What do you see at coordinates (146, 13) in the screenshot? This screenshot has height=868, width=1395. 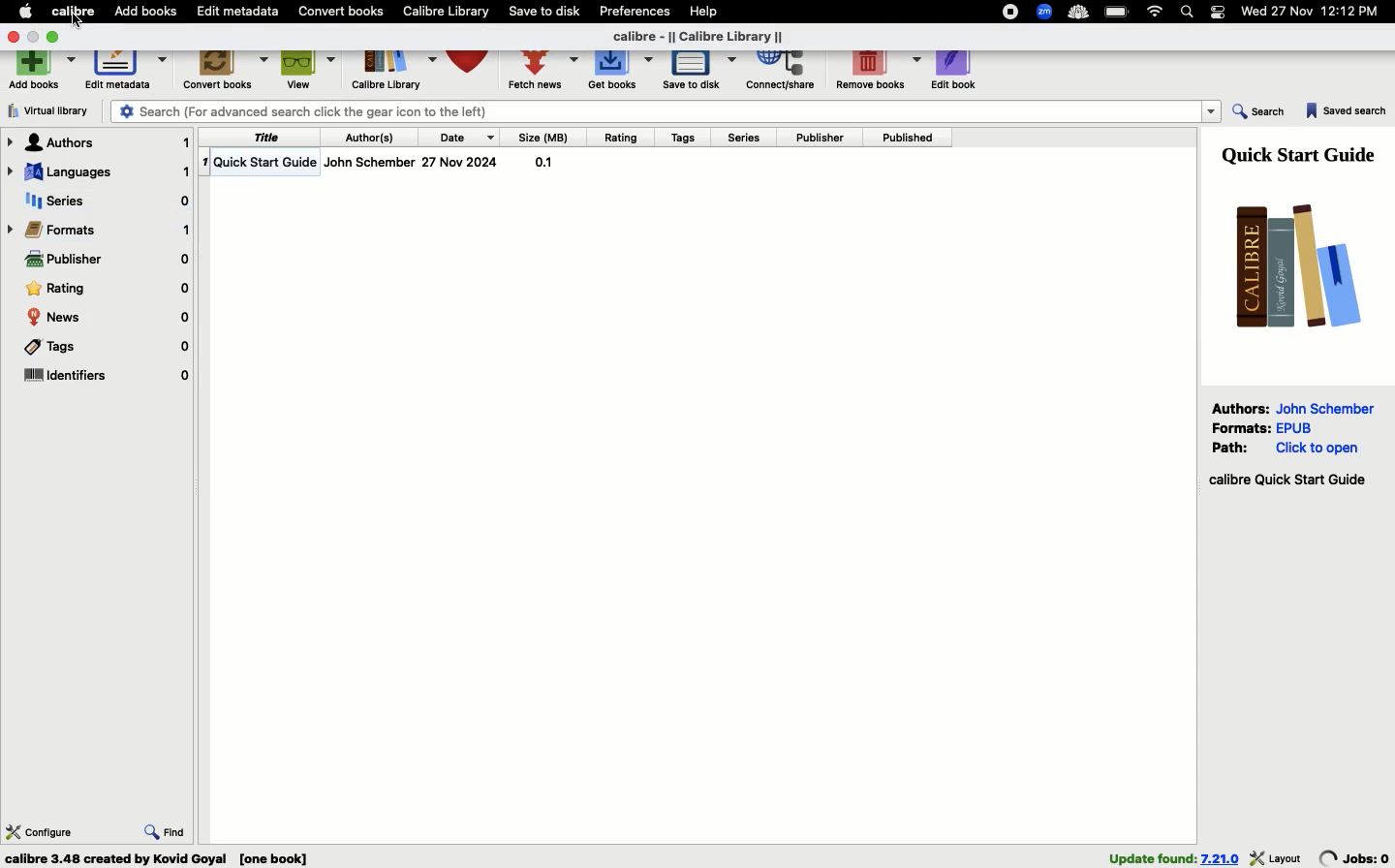 I see `Add books` at bounding box center [146, 13].